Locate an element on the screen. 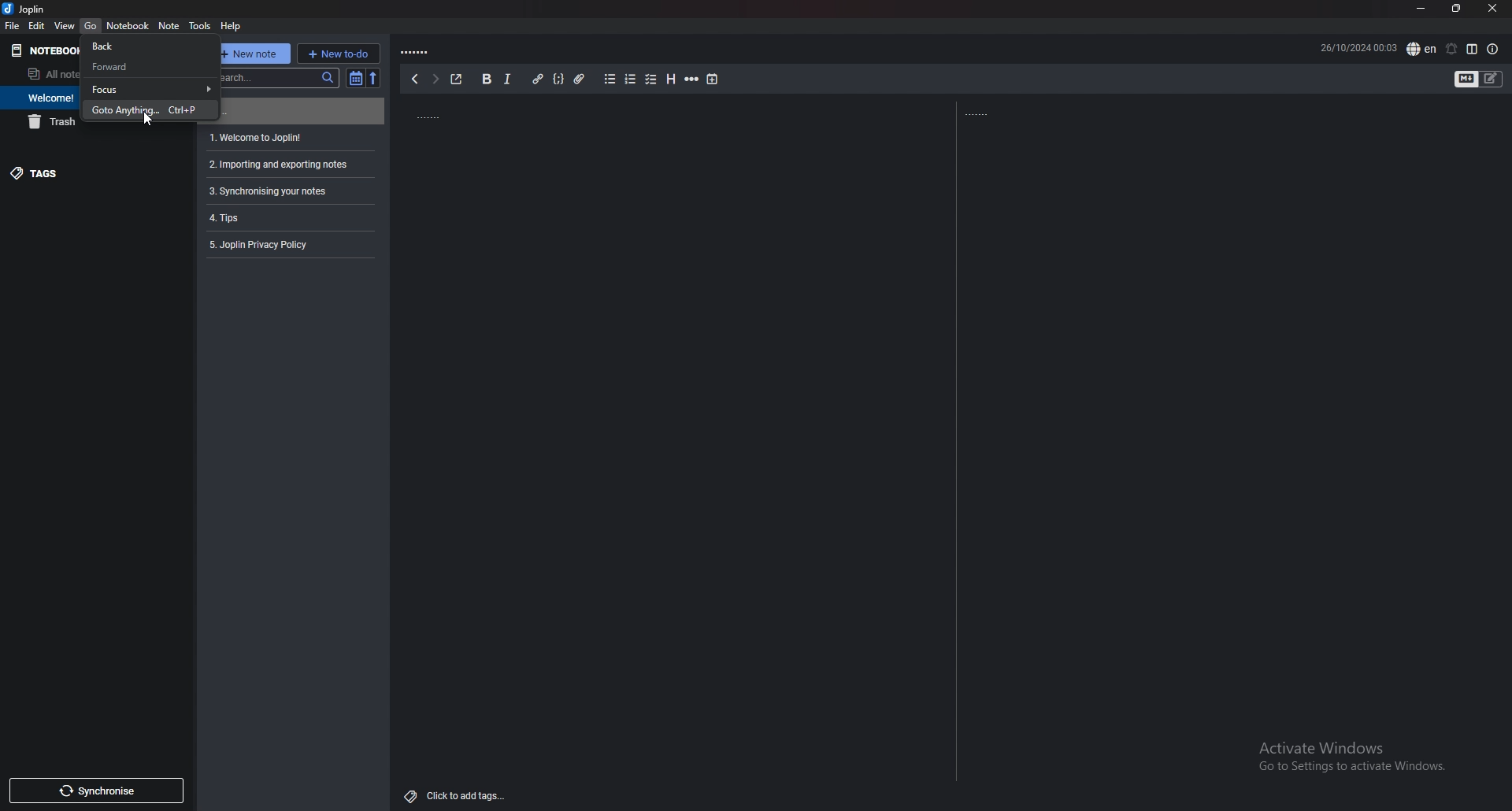 This screenshot has height=811, width=1512. add hyperlink is located at coordinates (538, 79).